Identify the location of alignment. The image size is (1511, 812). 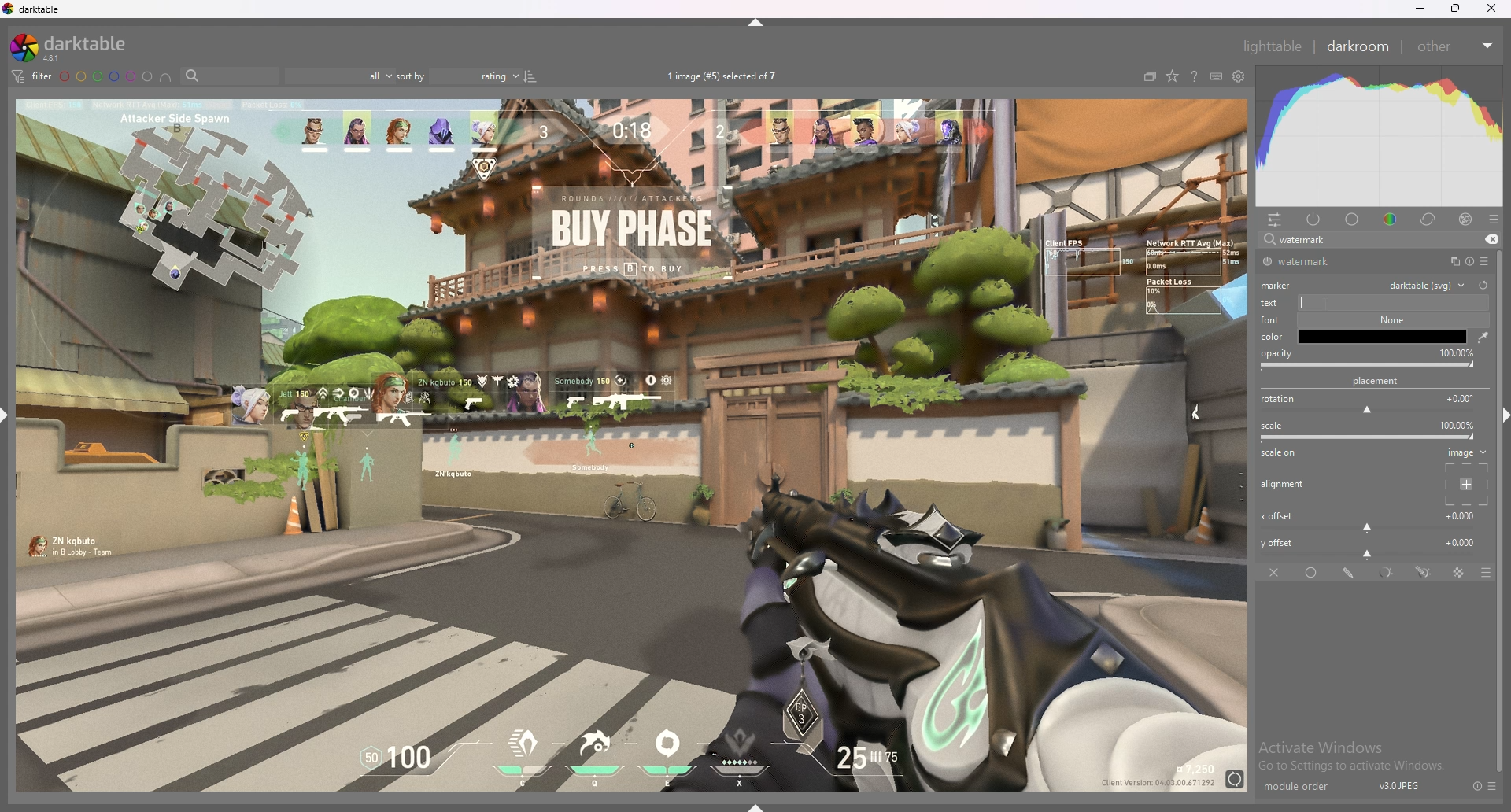
(1285, 485).